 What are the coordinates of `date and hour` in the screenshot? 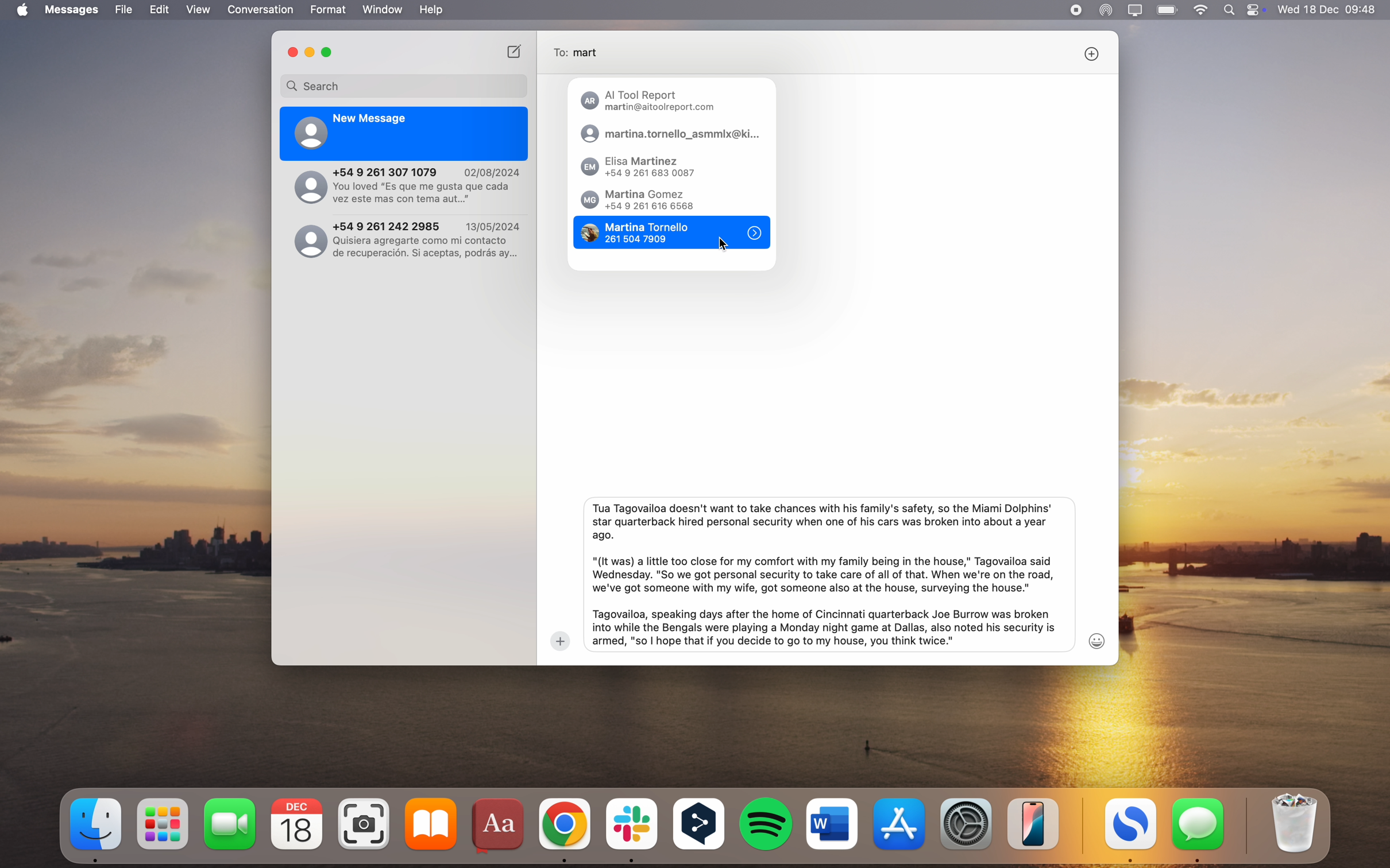 It's located at (1328, 9).